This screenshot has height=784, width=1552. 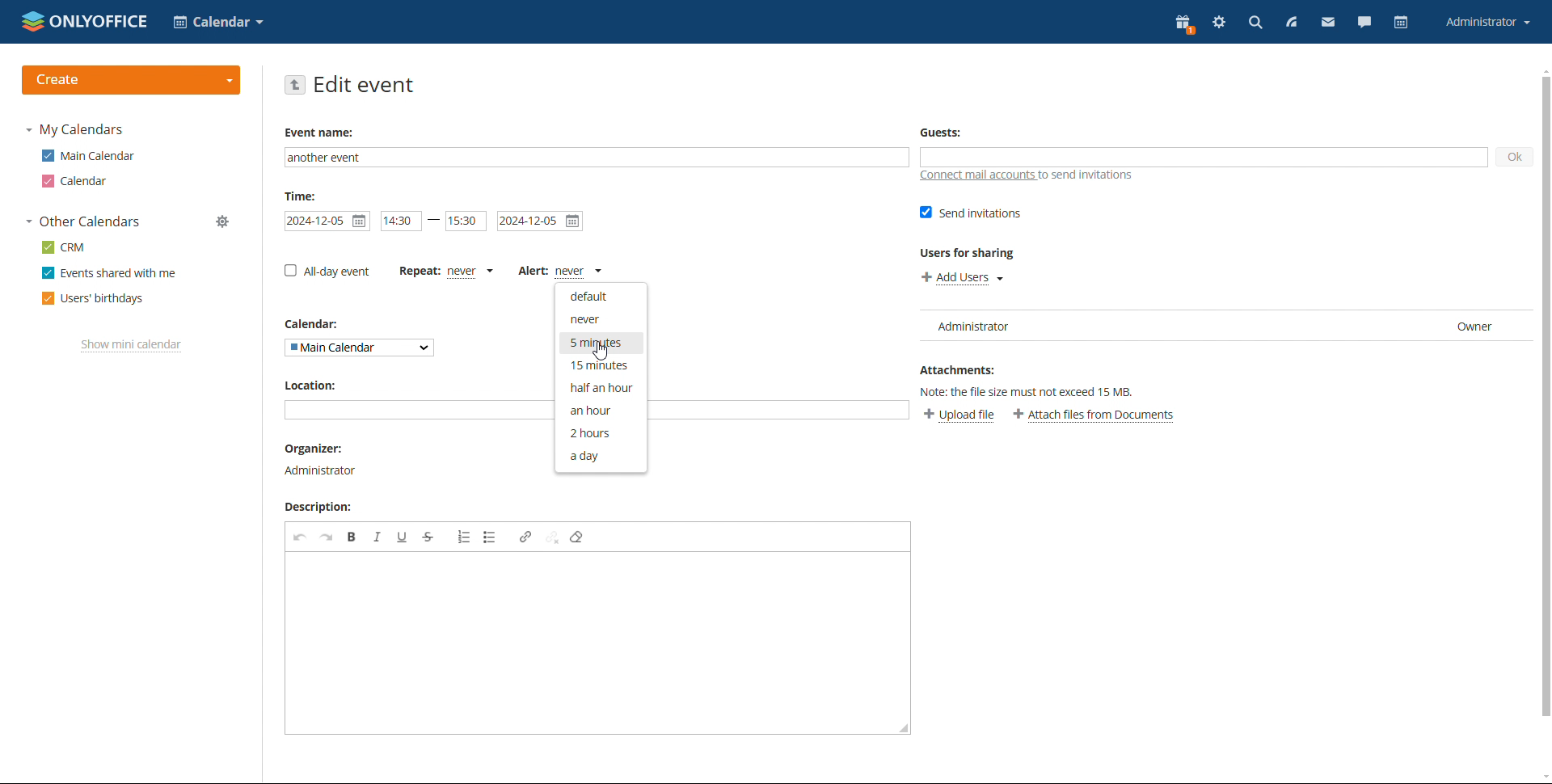 What do you see at coordinates (403, 537) in the screenshot?
I see `underline` at bounding box center [403, 537].